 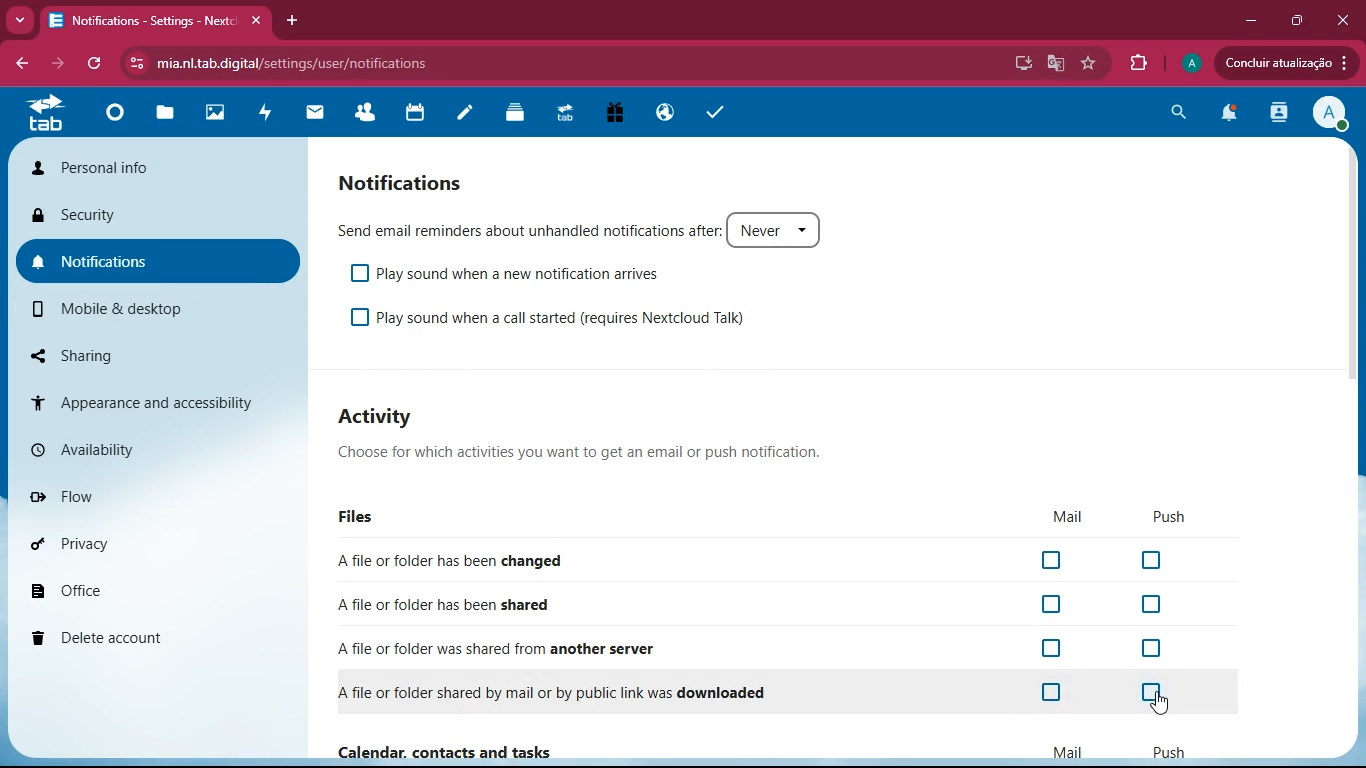 What do you see at coordinates (377, 415) in the screenshot?
I see `Activity` at bounding box center [377, 415].